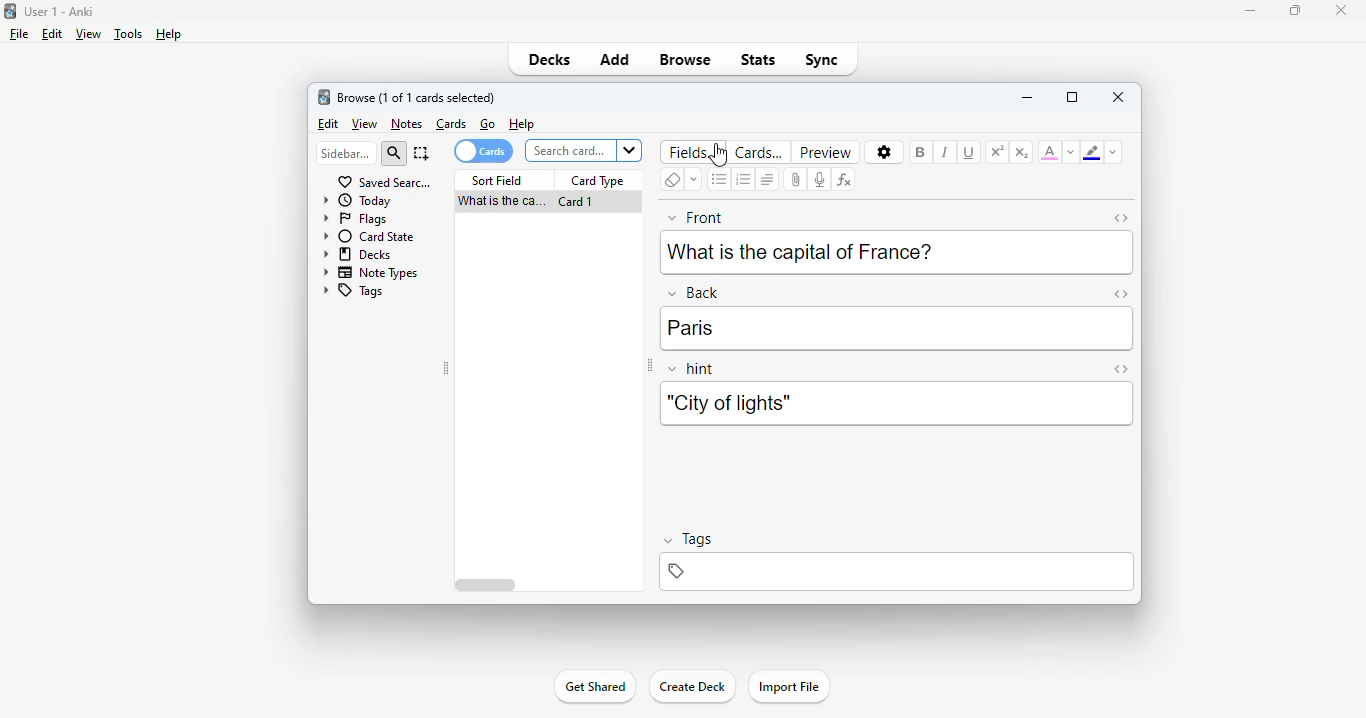  What do you see at coordinates (1071, 152) in the screenshot?
I see `change color` at bounding box center [1071, 152].